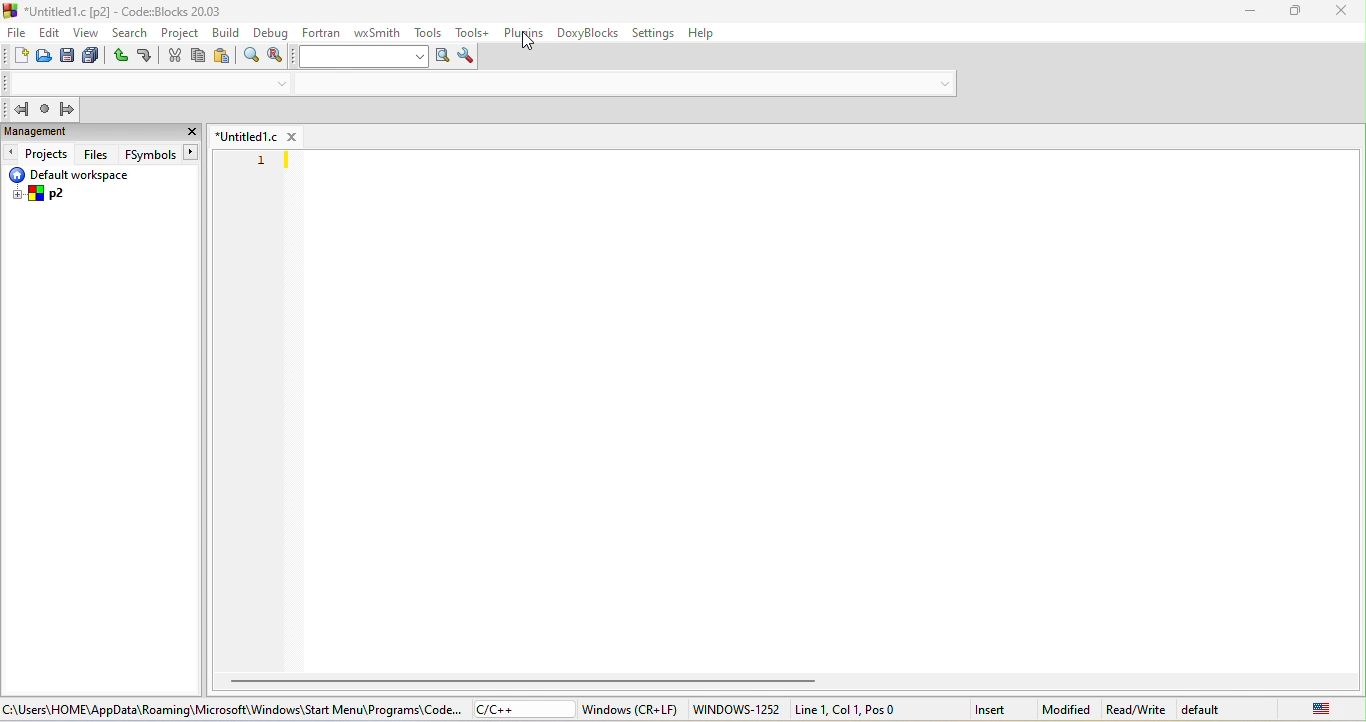  What do you see at coordinates (846, 711) in the screenshot?
I see `line 1,col 1, pos 0` at bounding box center [846, 711].